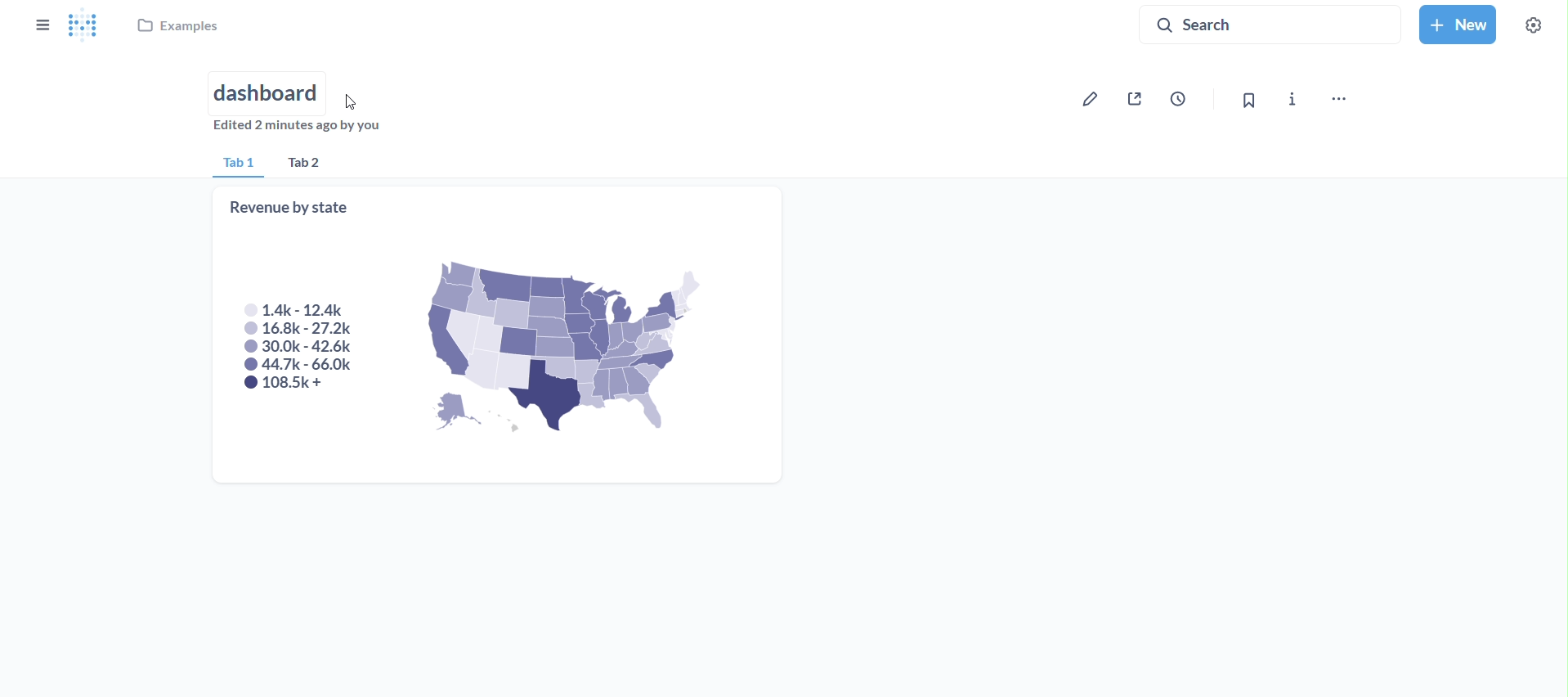  Describe the element at coordinates (269, 91) in the screenshot. I see `dashboard` at that location.